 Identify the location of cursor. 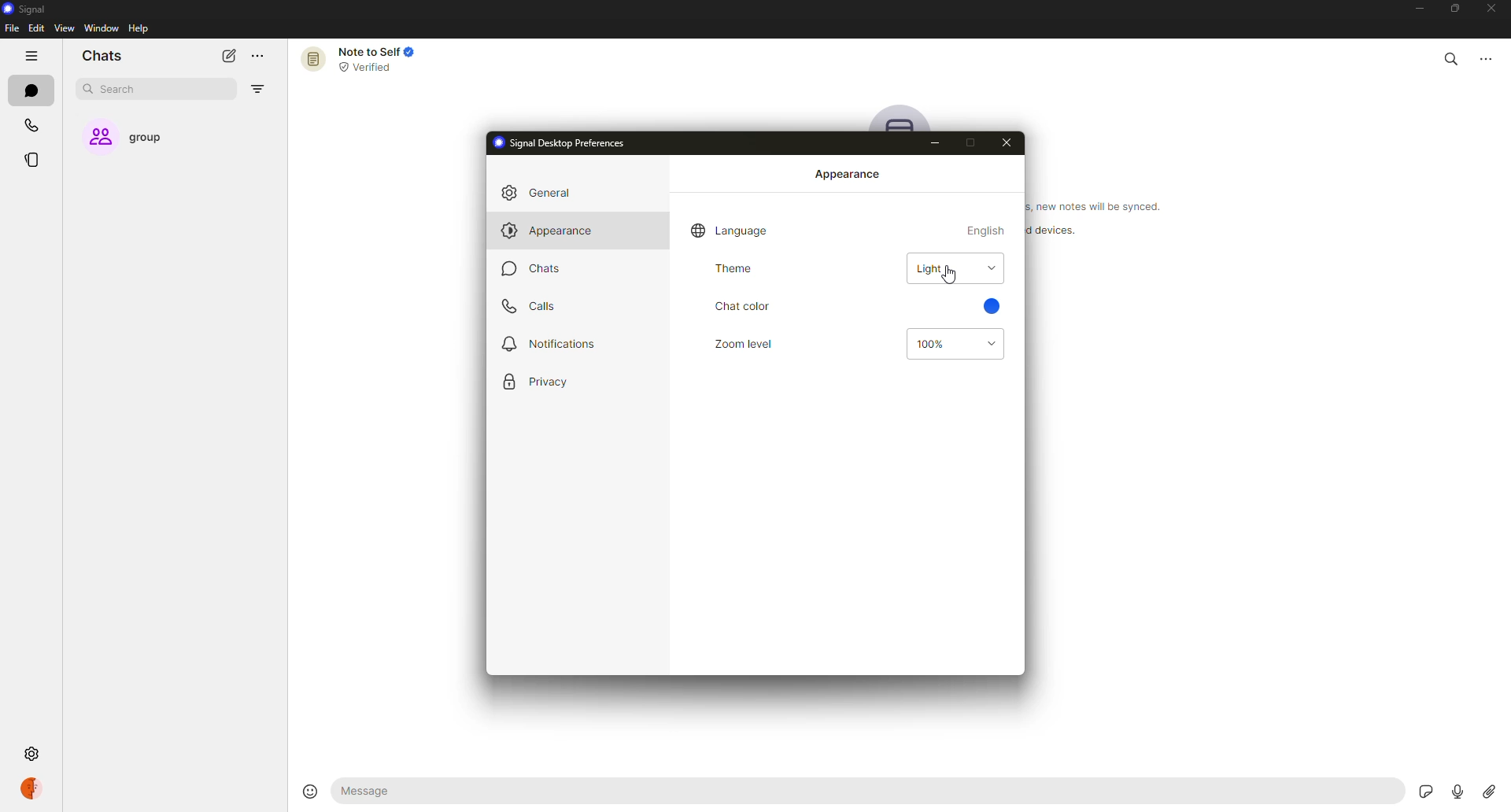
(946, 281).